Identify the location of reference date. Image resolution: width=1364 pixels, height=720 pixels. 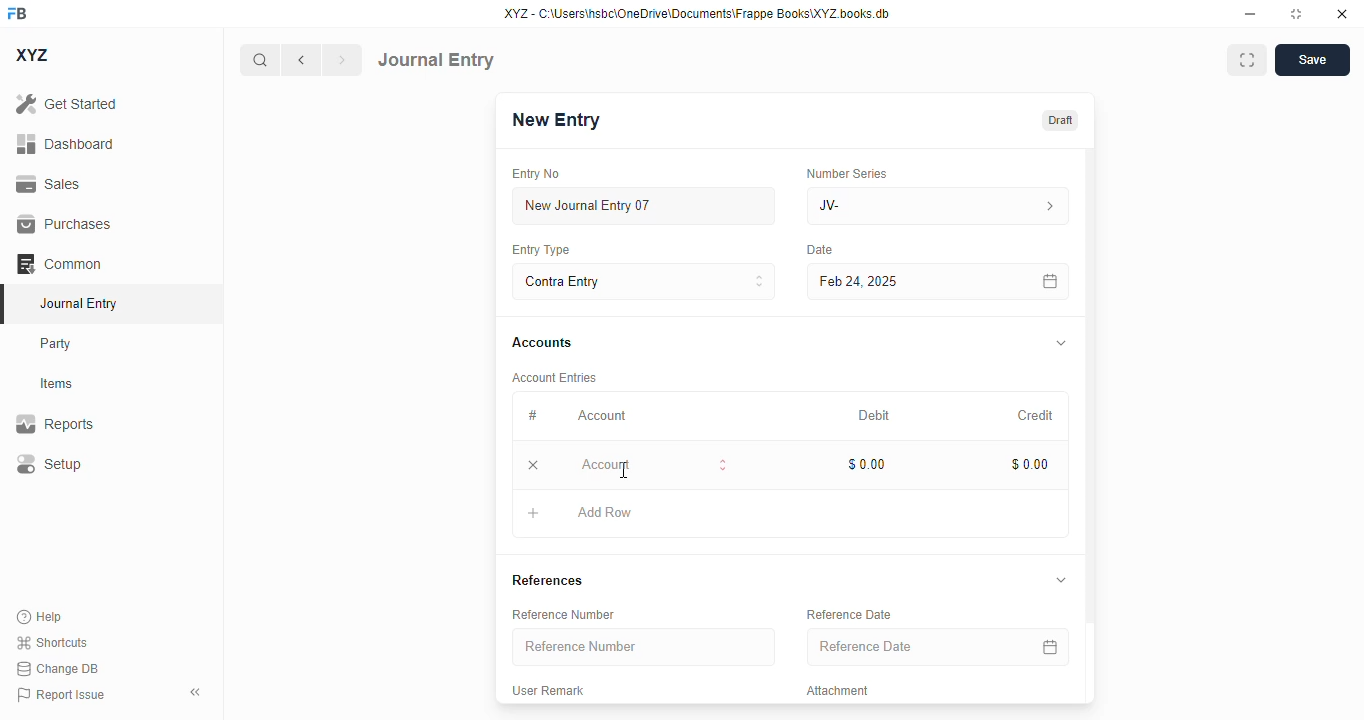
(899, 647).